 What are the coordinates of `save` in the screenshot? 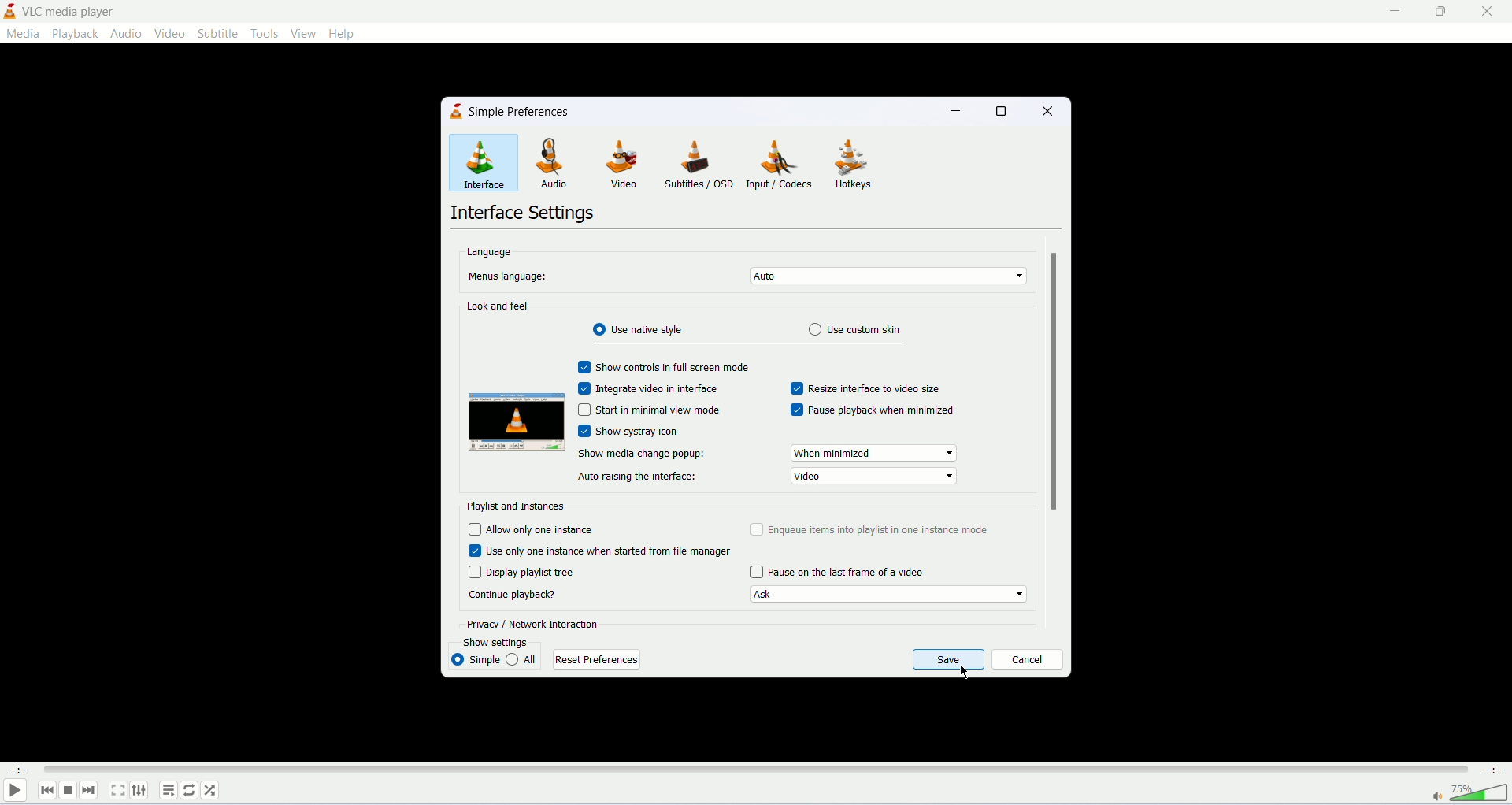 It's located at (948, 660).